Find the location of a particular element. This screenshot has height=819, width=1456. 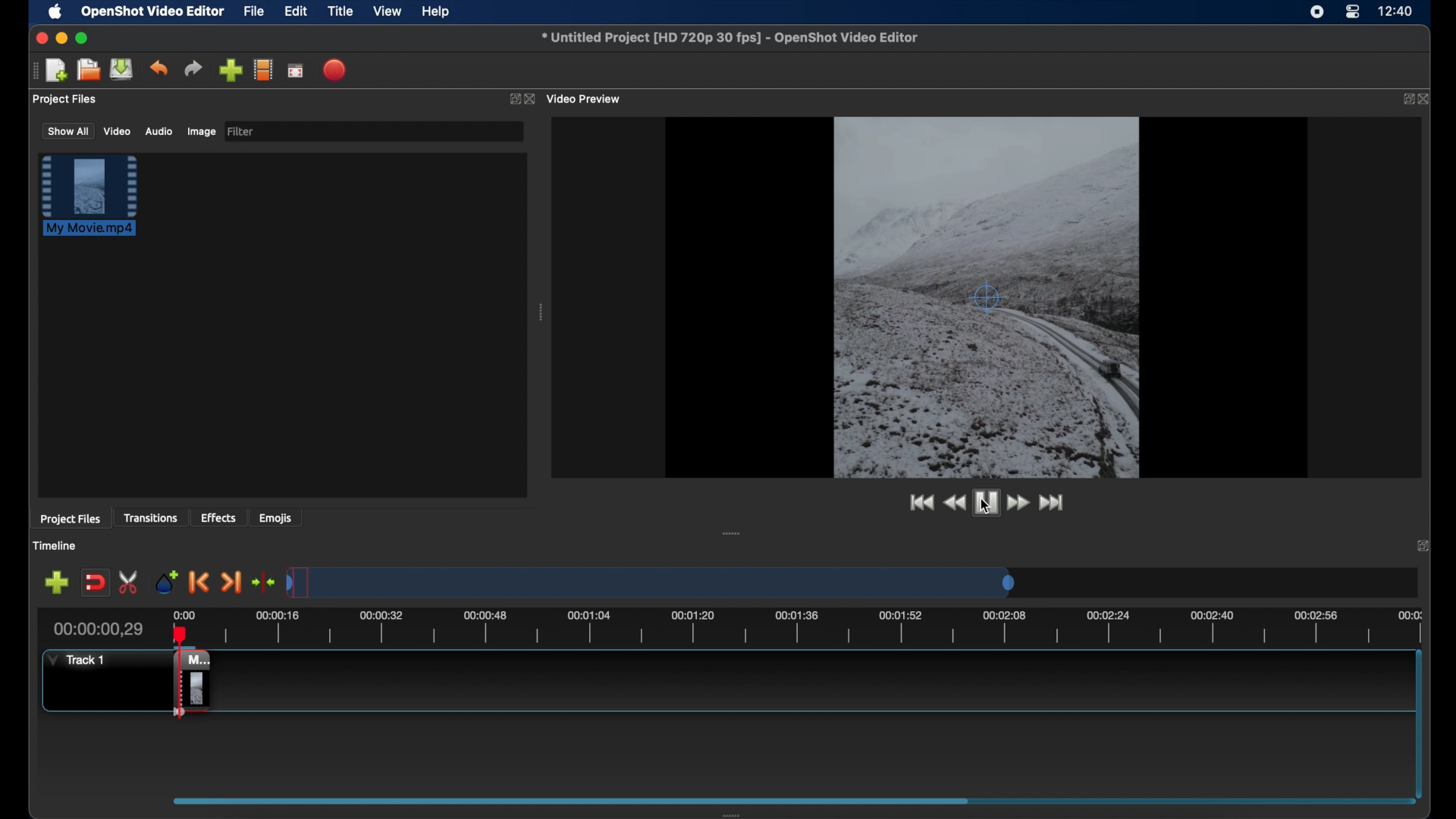

track 1 is located at coordinates (74, 660).